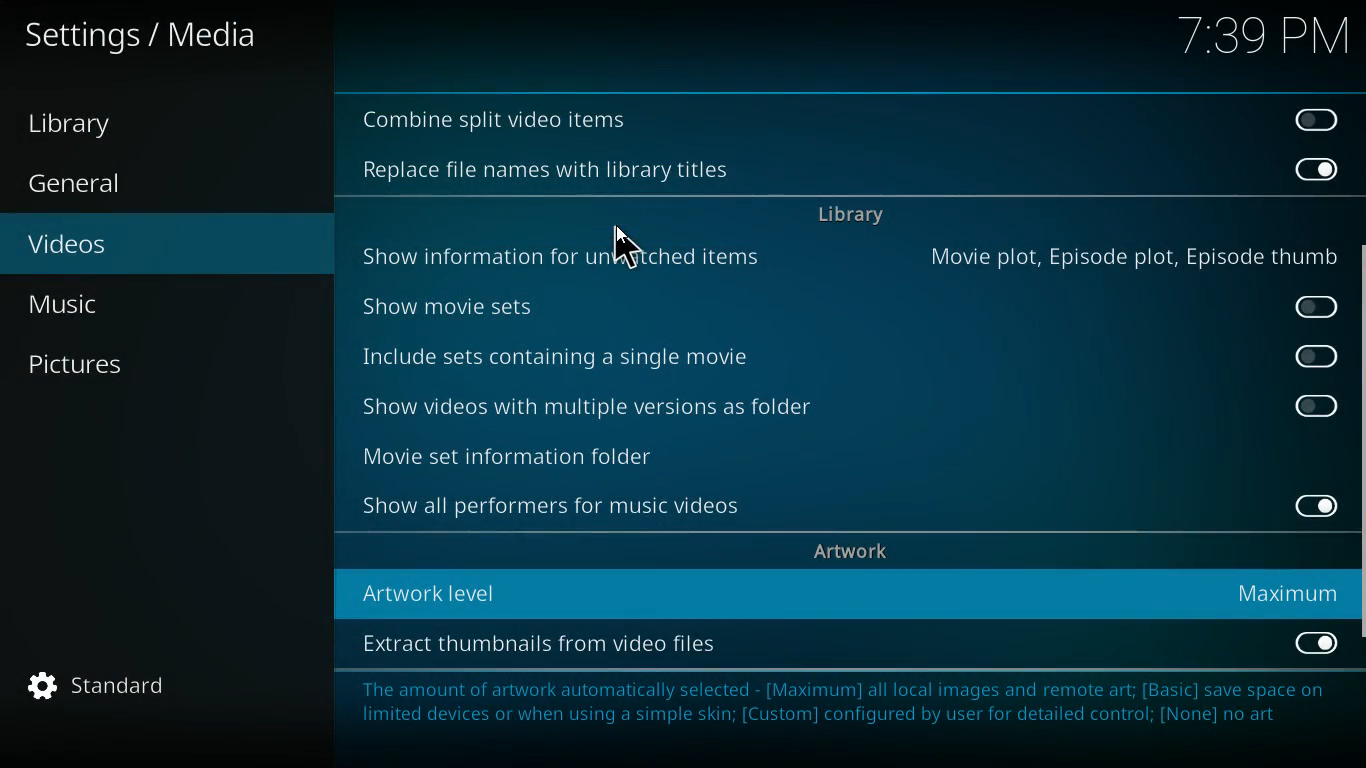 The height and width of the screenshot is (768, 1366). Describe the element at coordinates (1320, 306) in the screenshot. I see `off` at that location.